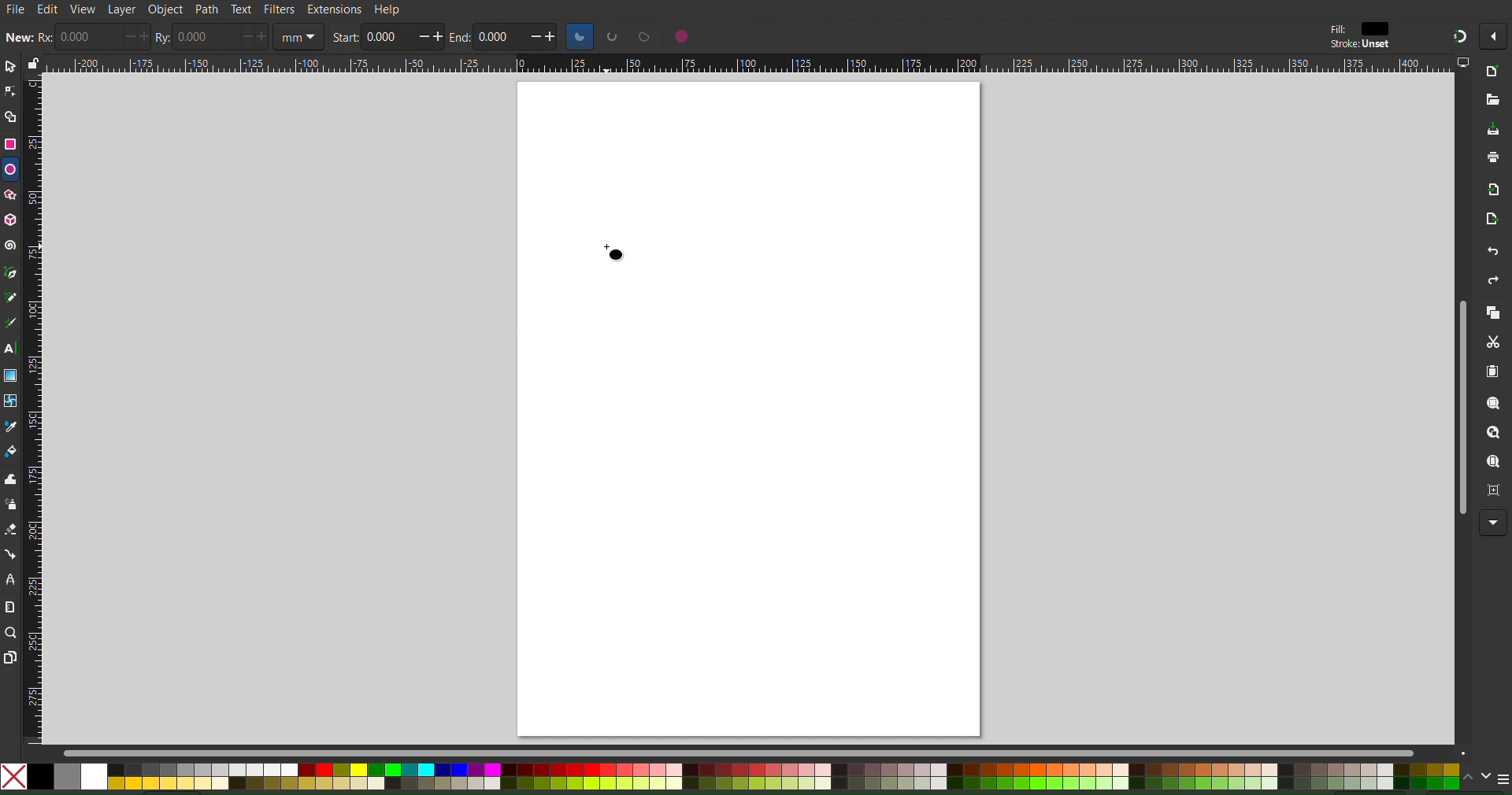  Describe the element at coordinates (612, 36) in the screenshot. I see `circle options` at that location.